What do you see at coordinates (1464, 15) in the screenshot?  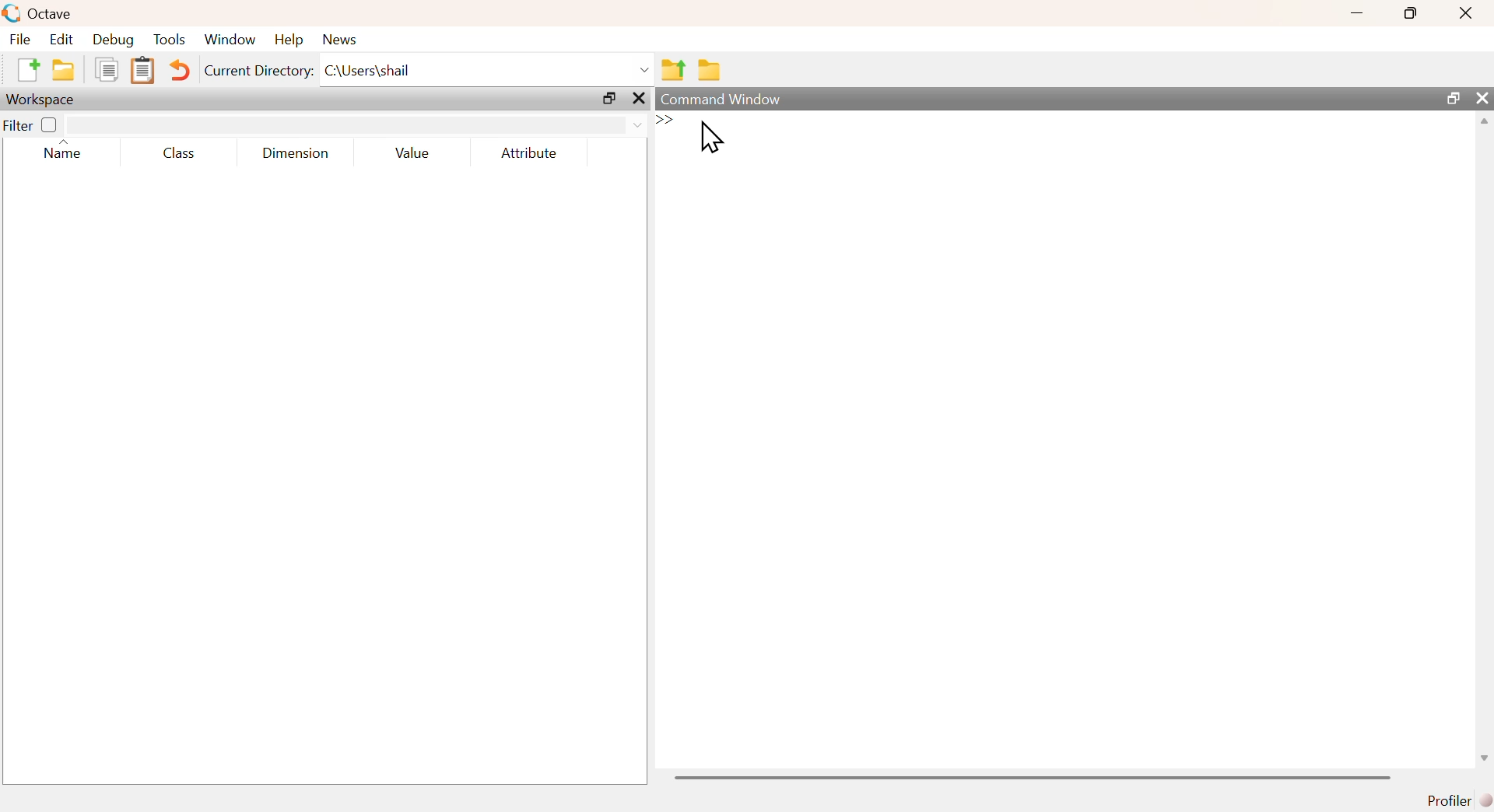 I see `close` at bounding box center [1464, 15].